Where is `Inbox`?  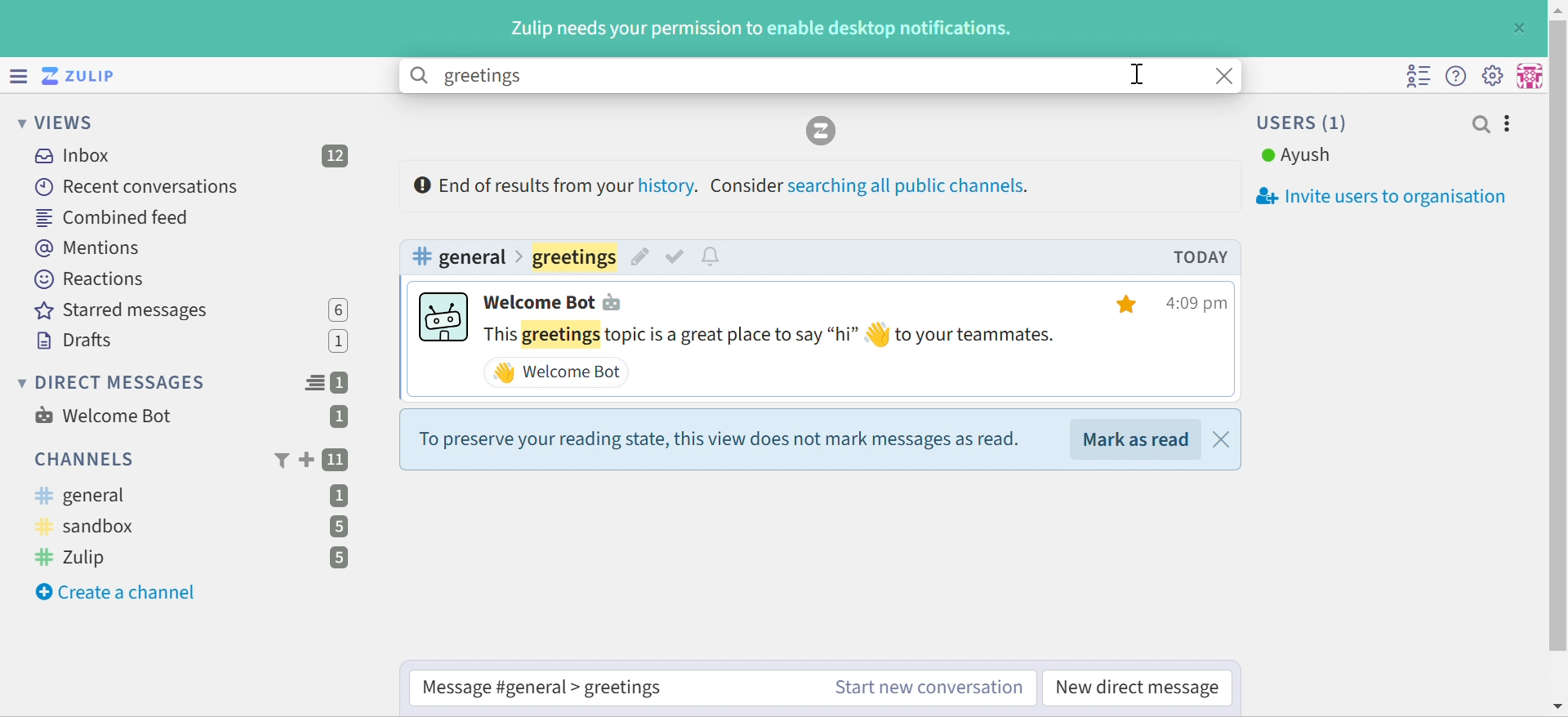
Inbox is located at coordinates (71, 156).